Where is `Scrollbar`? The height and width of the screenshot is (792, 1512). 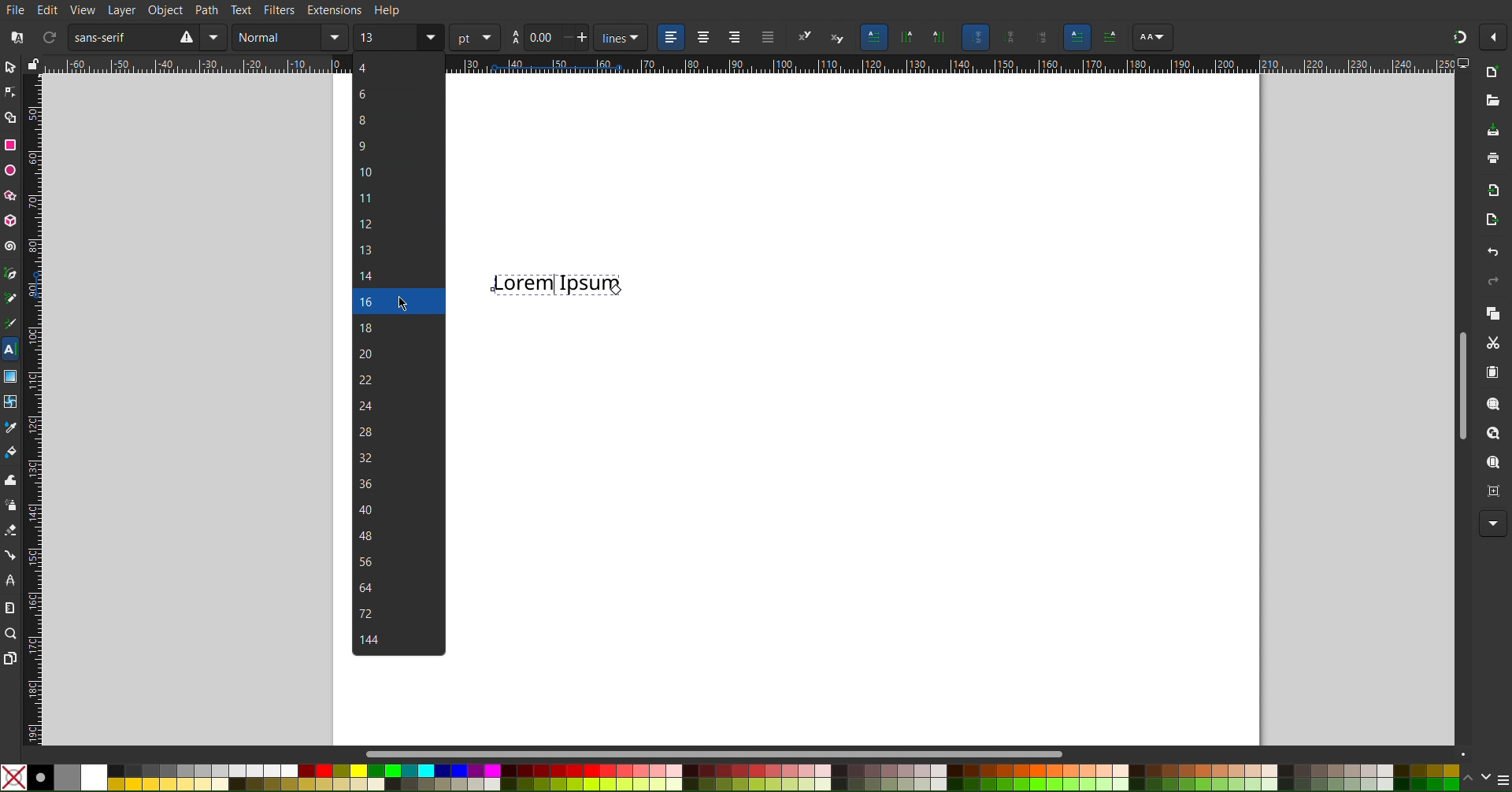
Scrollbar is located at coordinates (917, 751).